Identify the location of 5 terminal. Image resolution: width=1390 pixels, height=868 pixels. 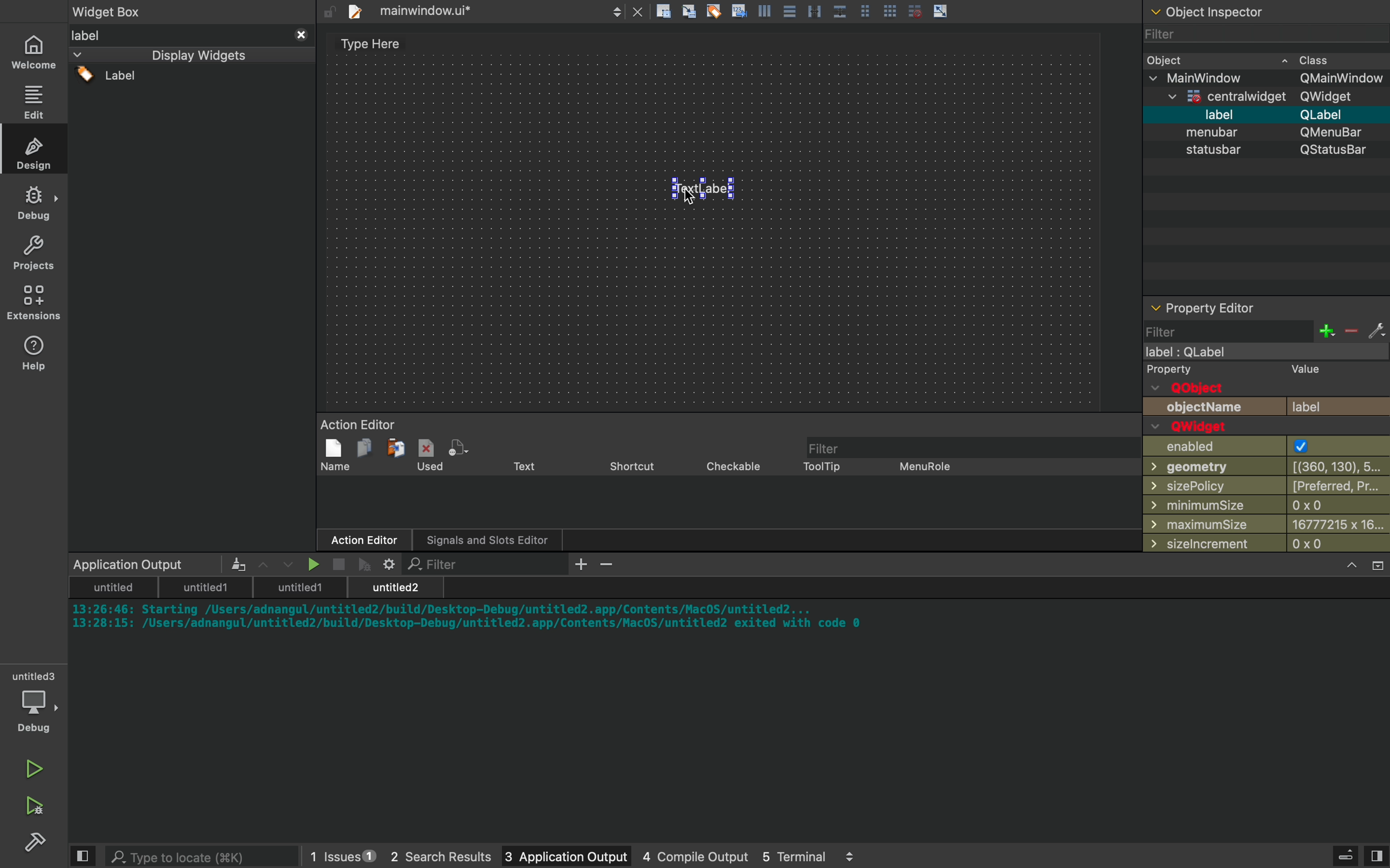
(808, 856).